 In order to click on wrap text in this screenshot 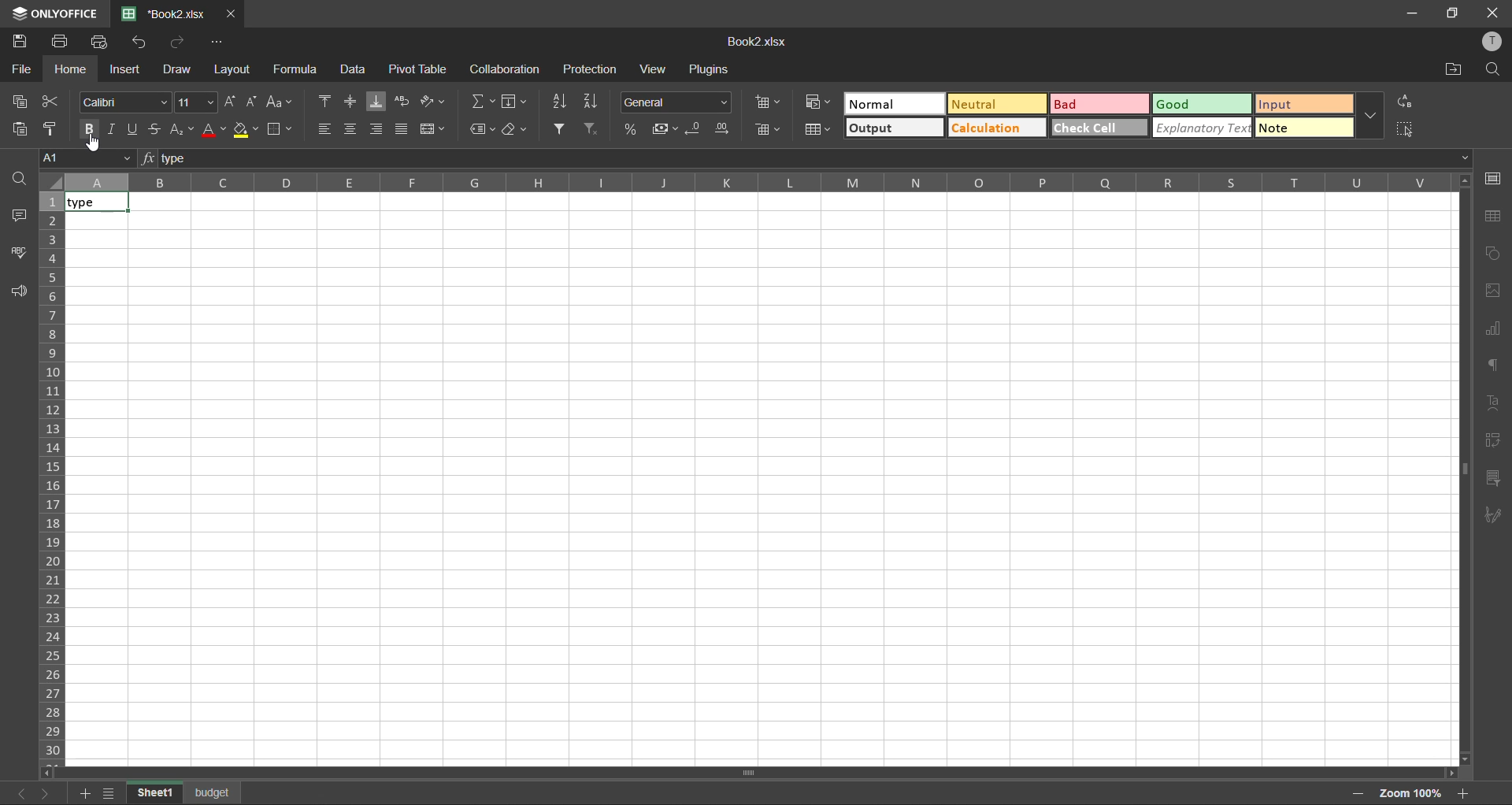, I will do `click(405, 102)`.